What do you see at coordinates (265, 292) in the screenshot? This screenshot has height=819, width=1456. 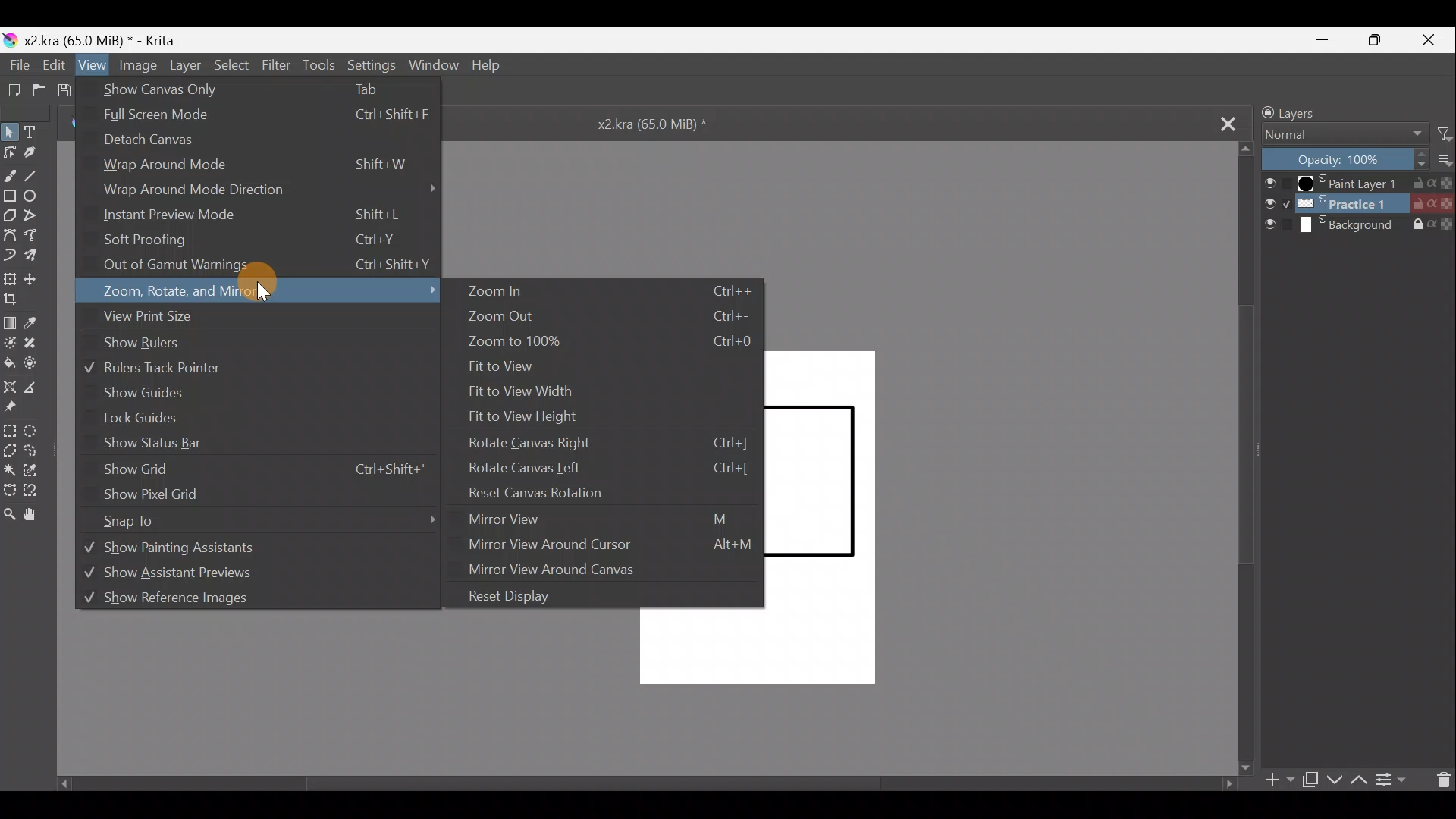 I see `Zoom, rotate and mirror` at bounding box center [265, 292].